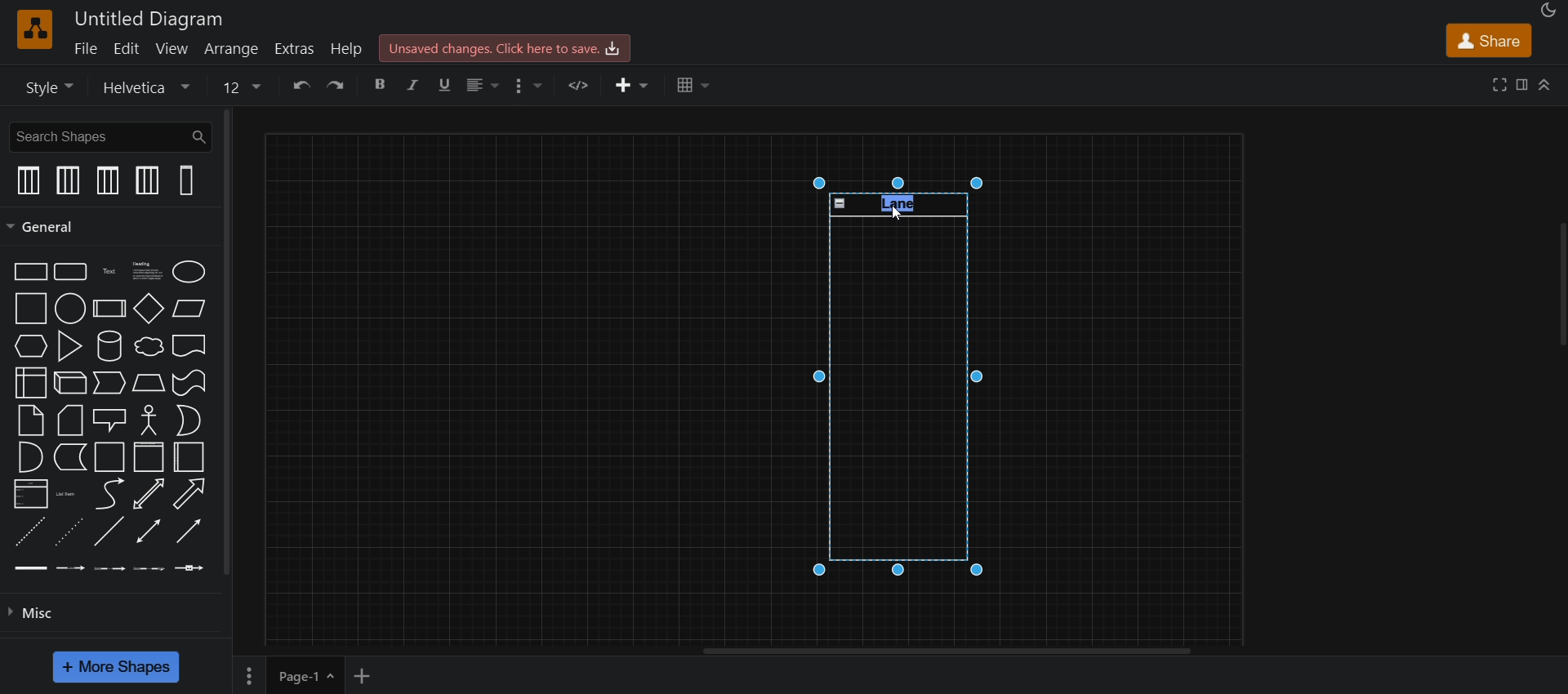 This screenshot has width=1568, height=694. I want to click on connector with 3 labels, so click(153, 569).